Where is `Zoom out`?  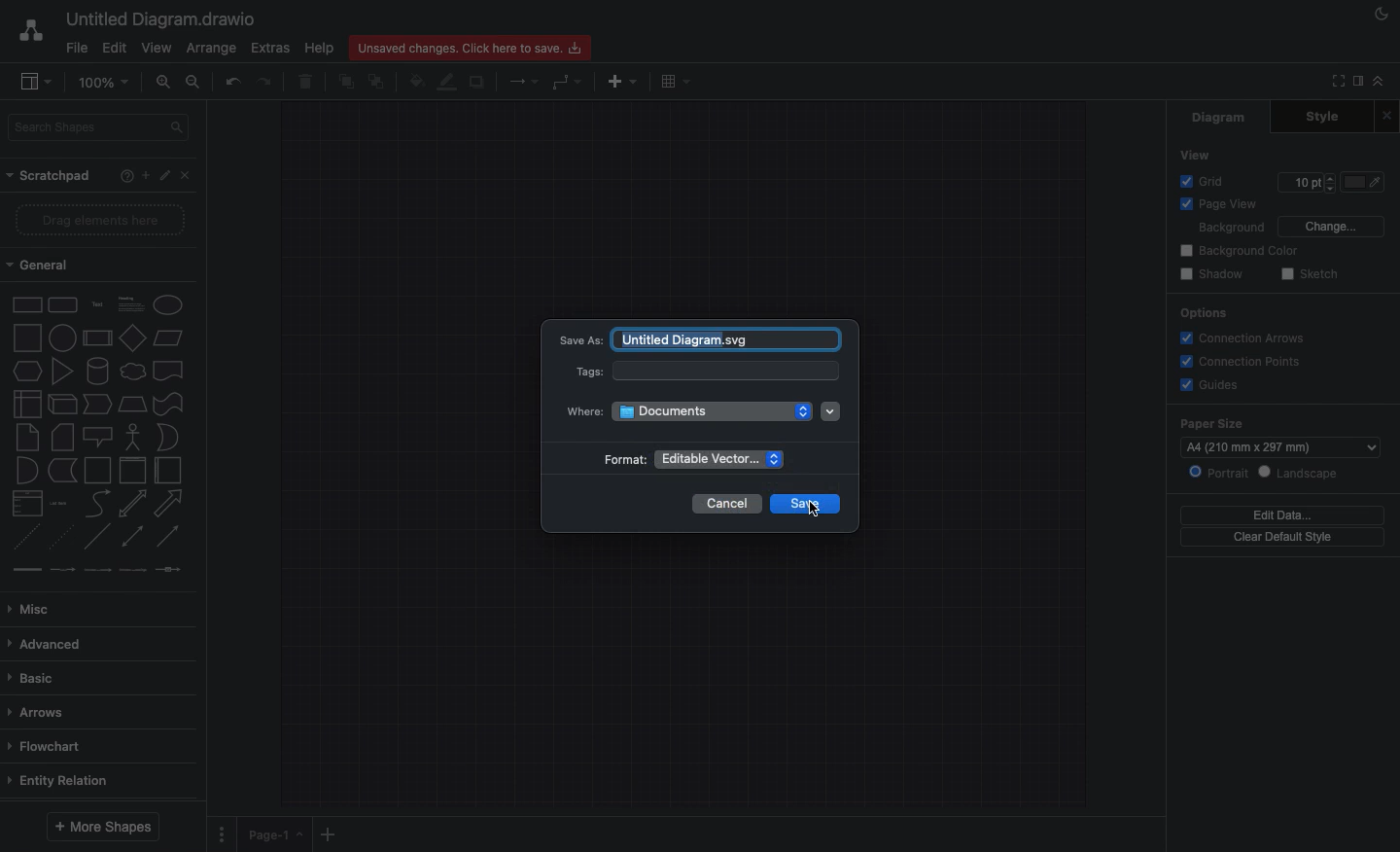 Zoom out is located at coordinates (194, 82).